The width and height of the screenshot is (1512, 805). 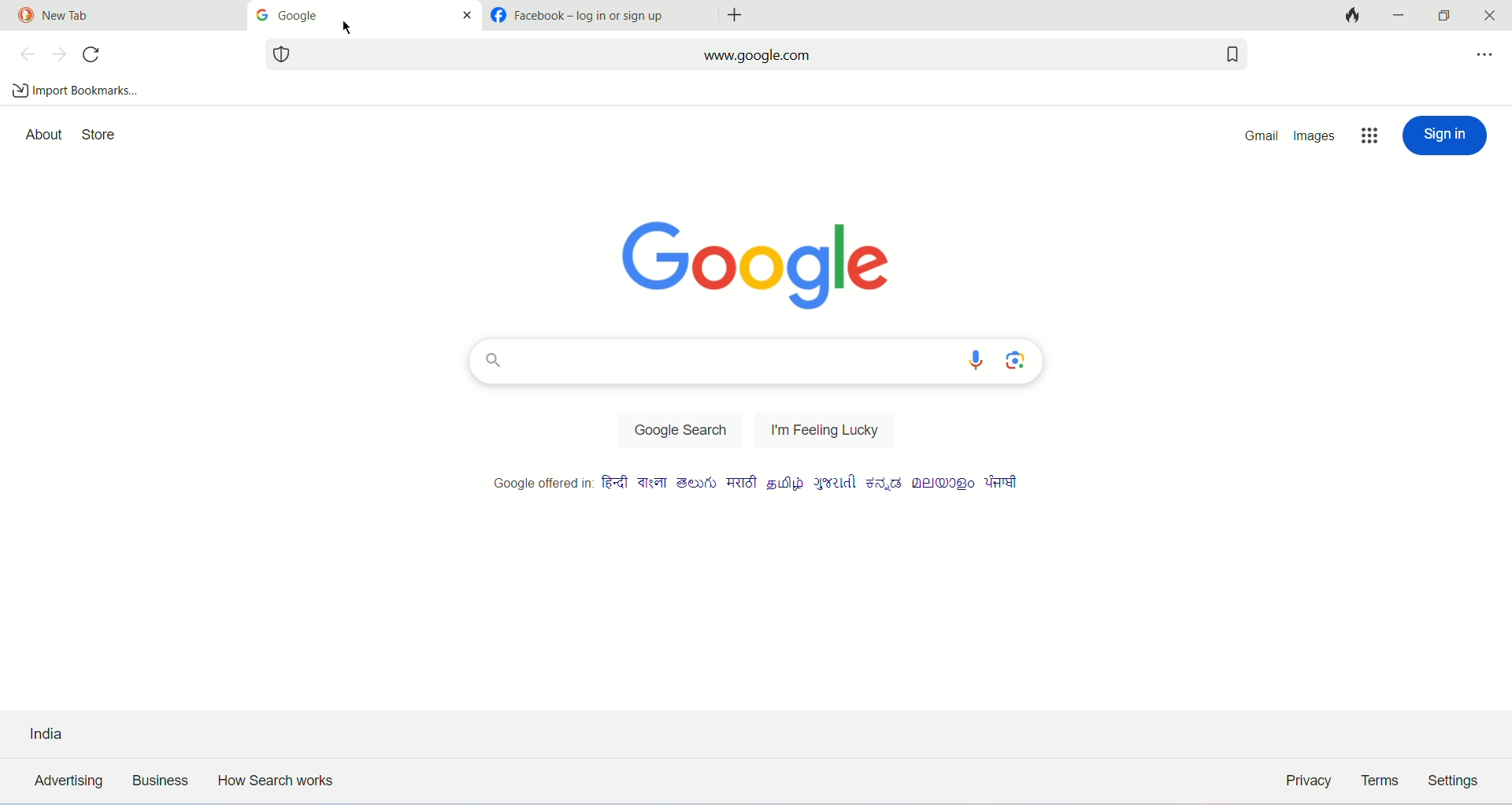 I want to click on search, so click(x=757, y=53).